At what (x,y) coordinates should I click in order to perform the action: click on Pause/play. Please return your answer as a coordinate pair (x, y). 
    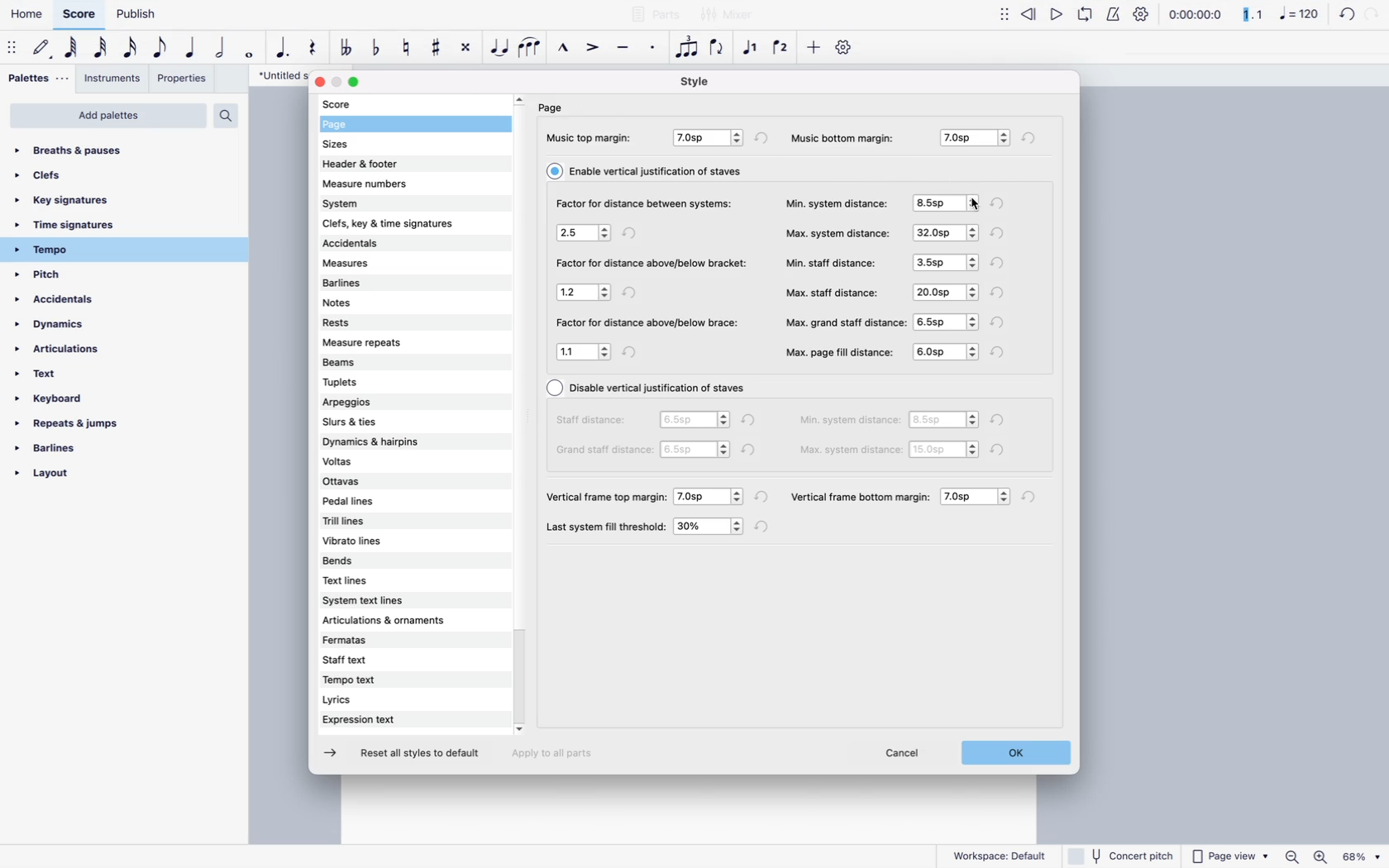
    Looking at the image, I should click on (1070, 17).